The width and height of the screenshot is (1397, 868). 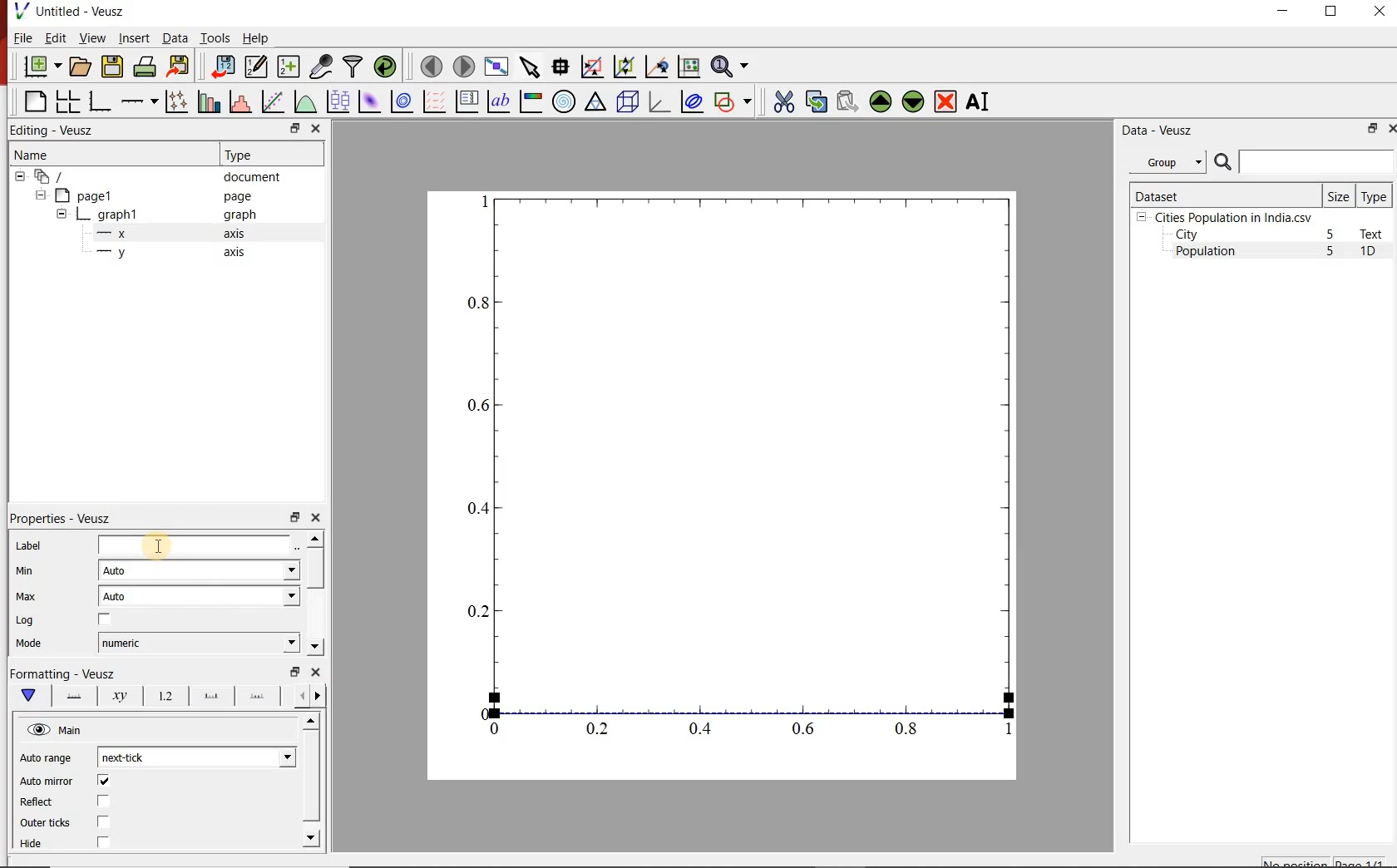 I want to click on plot key, so click(x=466, y=101).